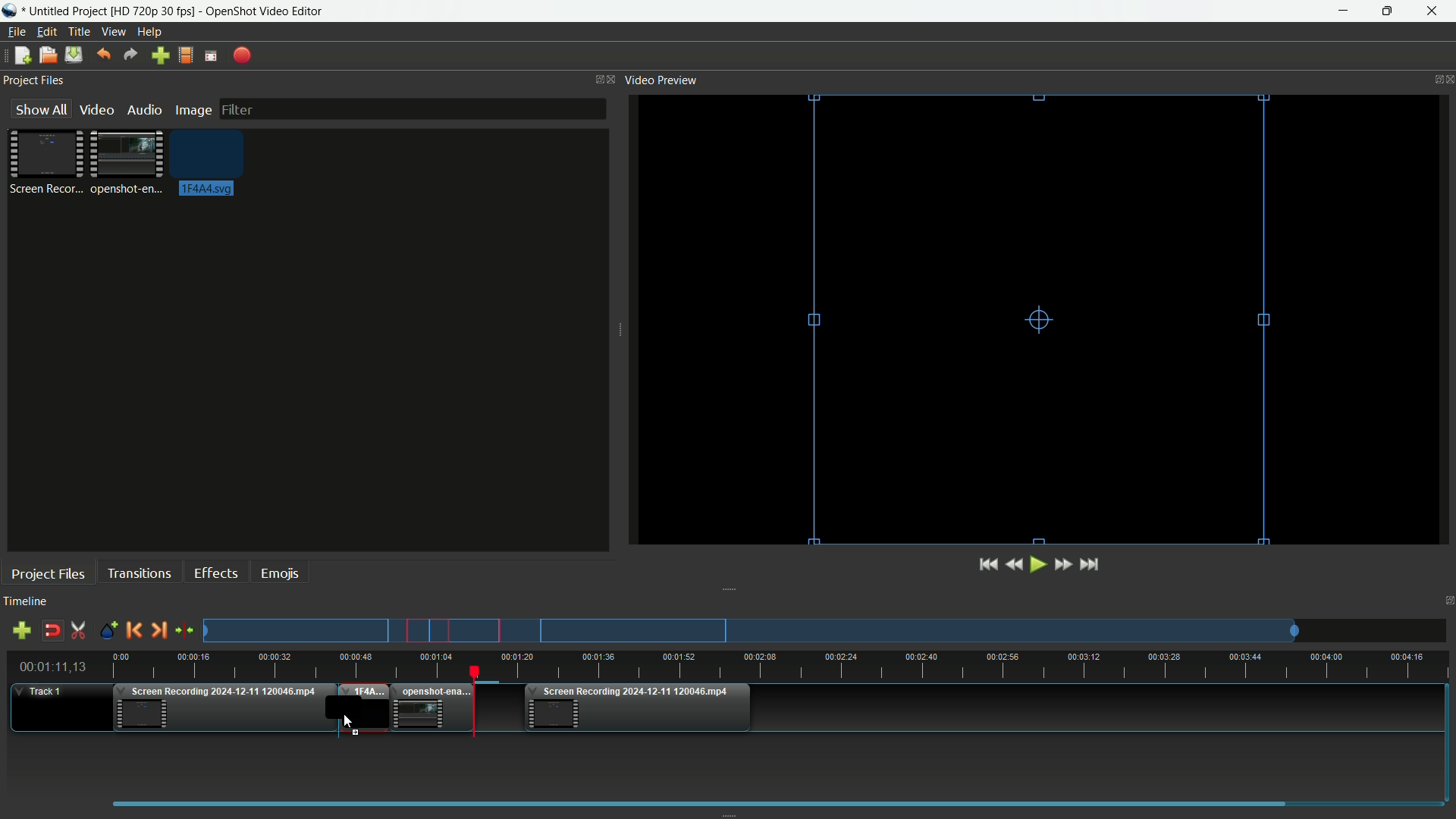 The height and width of the screenshot is (819, 1456). What do you see at coordinates (639, 708) in the screenshot?
I see `Video three in timeline` at bounding box center [639, 708].